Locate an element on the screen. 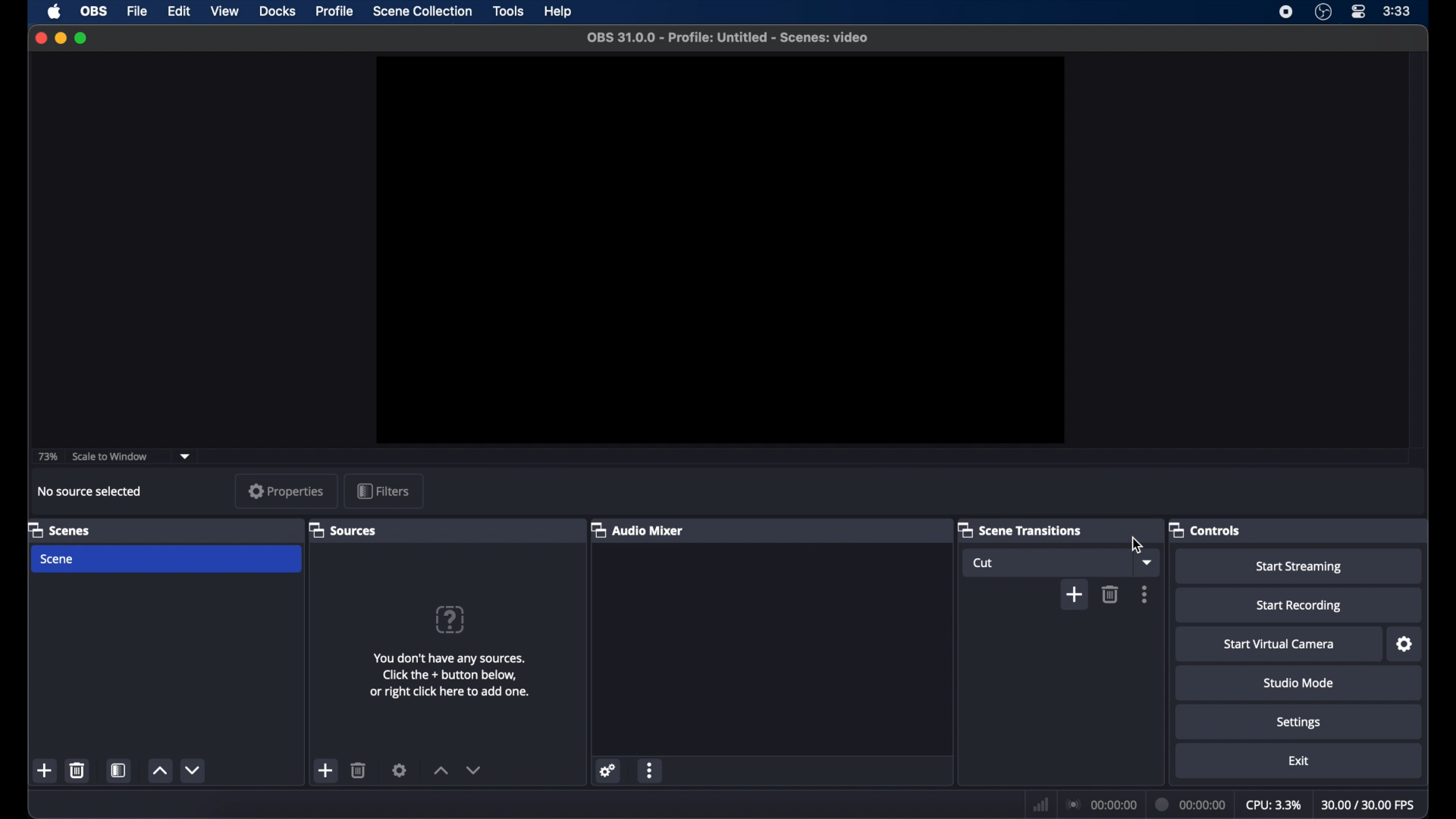 The height and width of the screenshot is (819, 1456). time is located at coordinates (1398, 11).